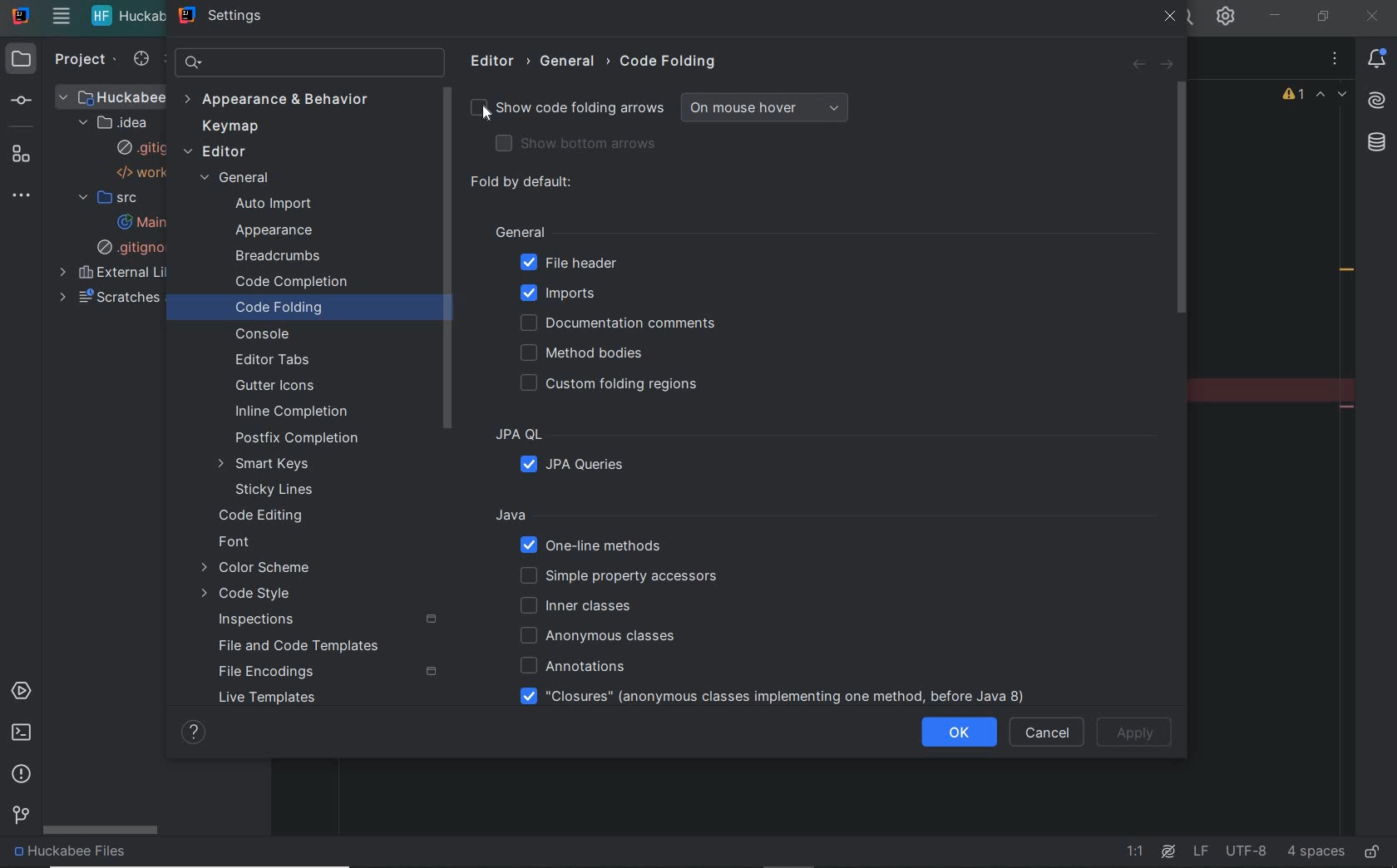  What do you see at coordinates (311, 62) in the screenshot?
I see `search settings` at bounding box center [311, 62].